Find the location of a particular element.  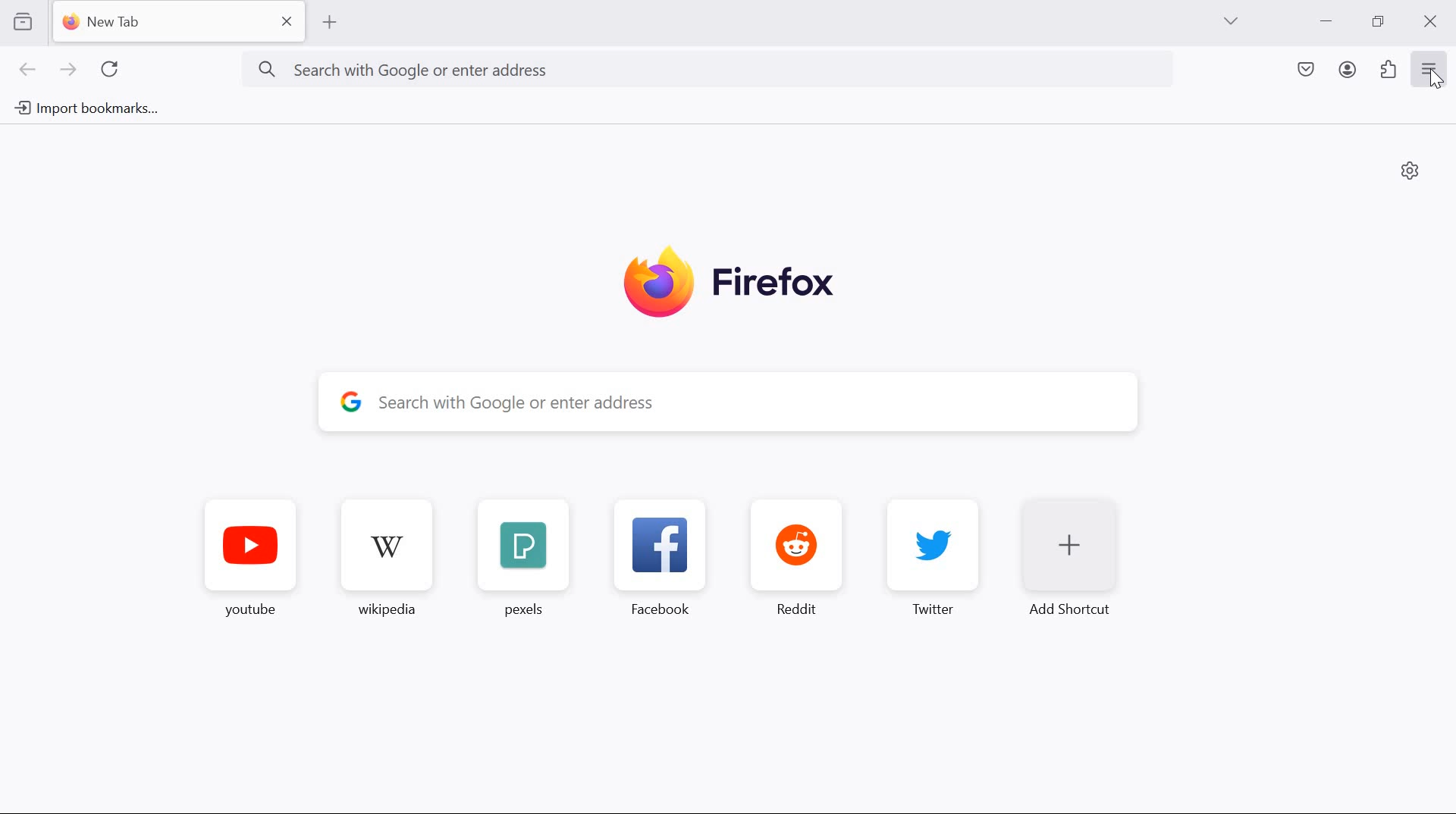

new tab is located at coordinates (183, 22).